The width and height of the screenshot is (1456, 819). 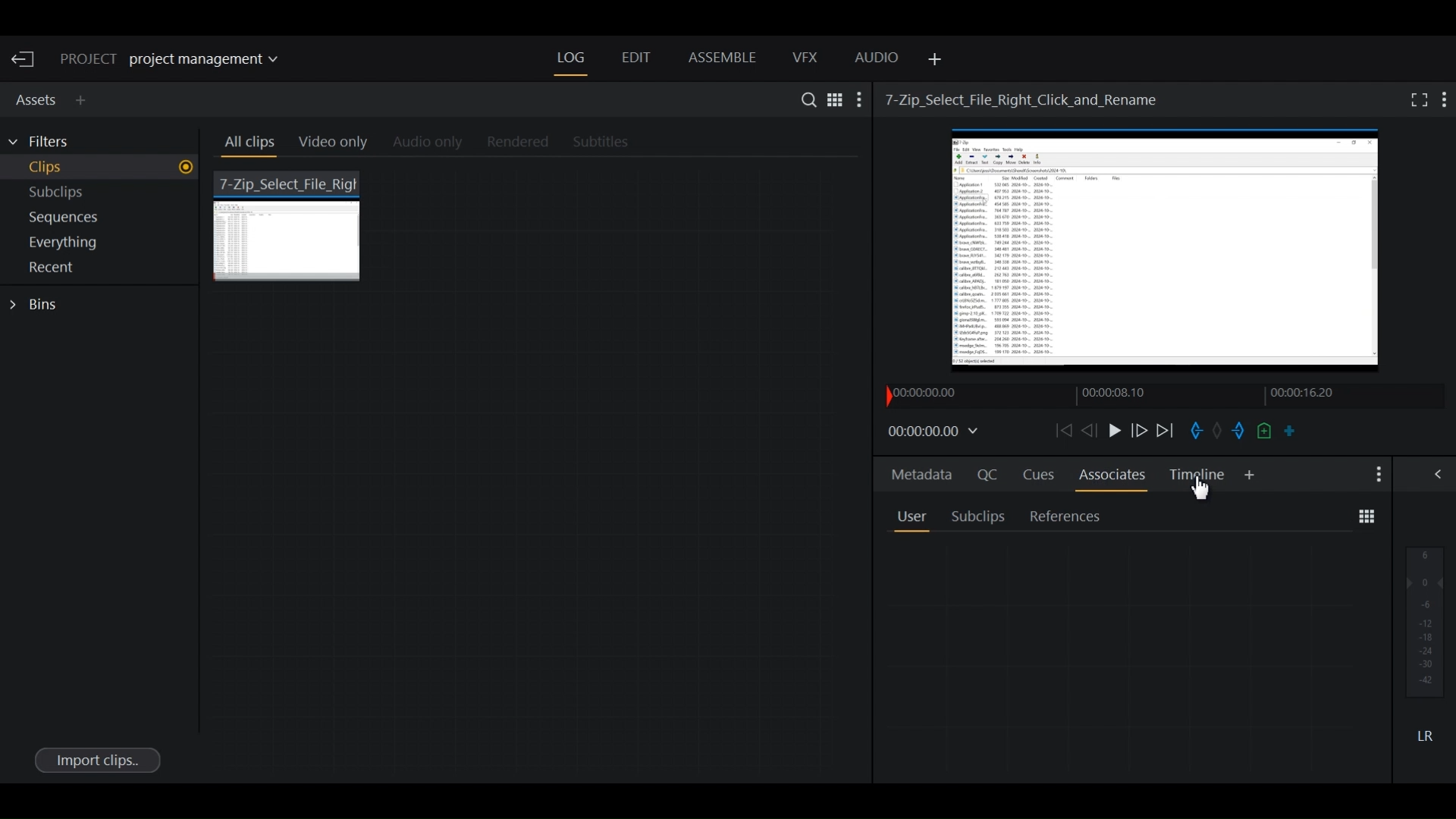 What do you see at coordinates (911, 515) in the screenshot?
I see `User` at bounding box center [911, 515].